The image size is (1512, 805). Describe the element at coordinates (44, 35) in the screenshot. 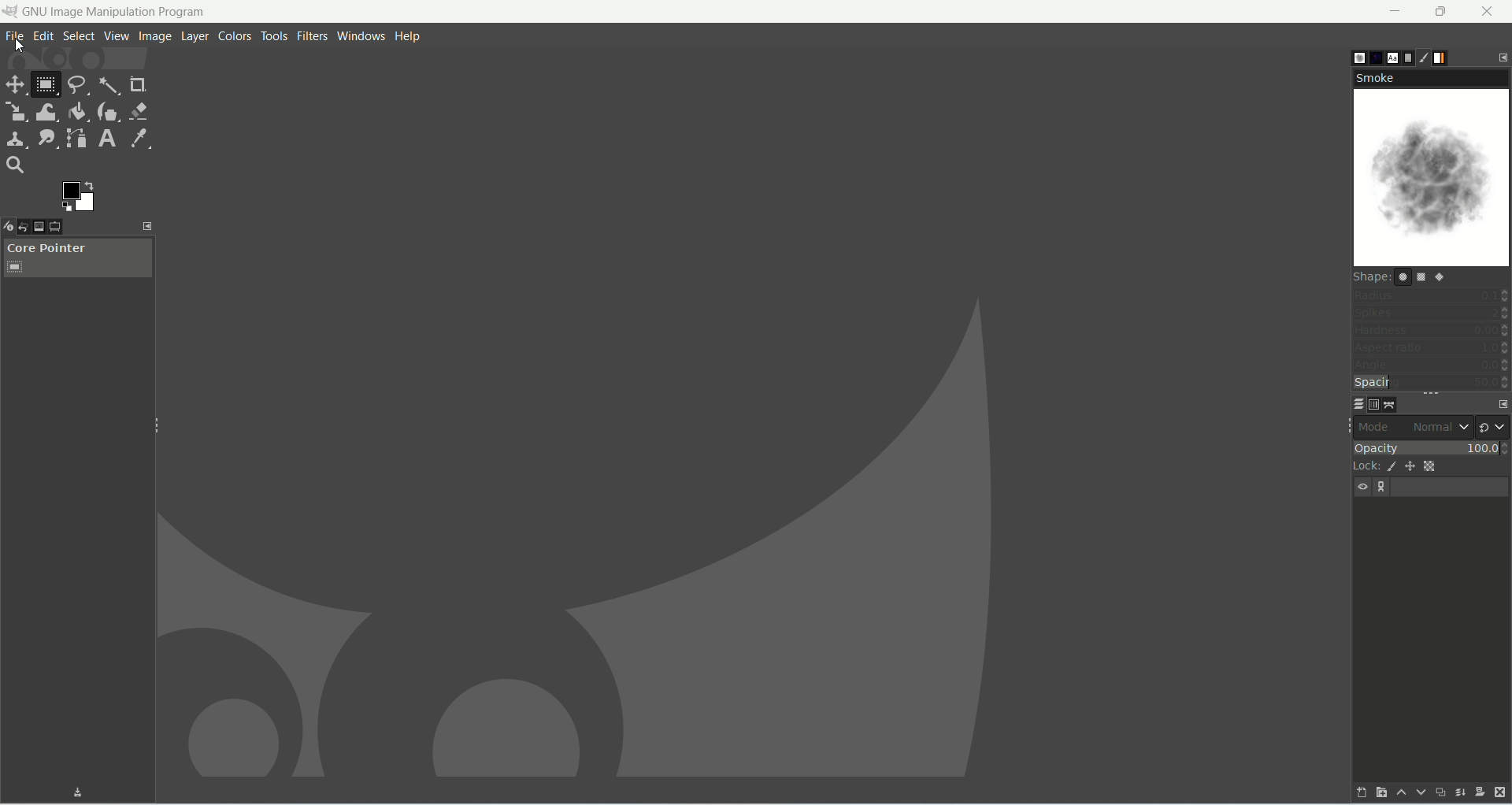

I see `edit` at that location.